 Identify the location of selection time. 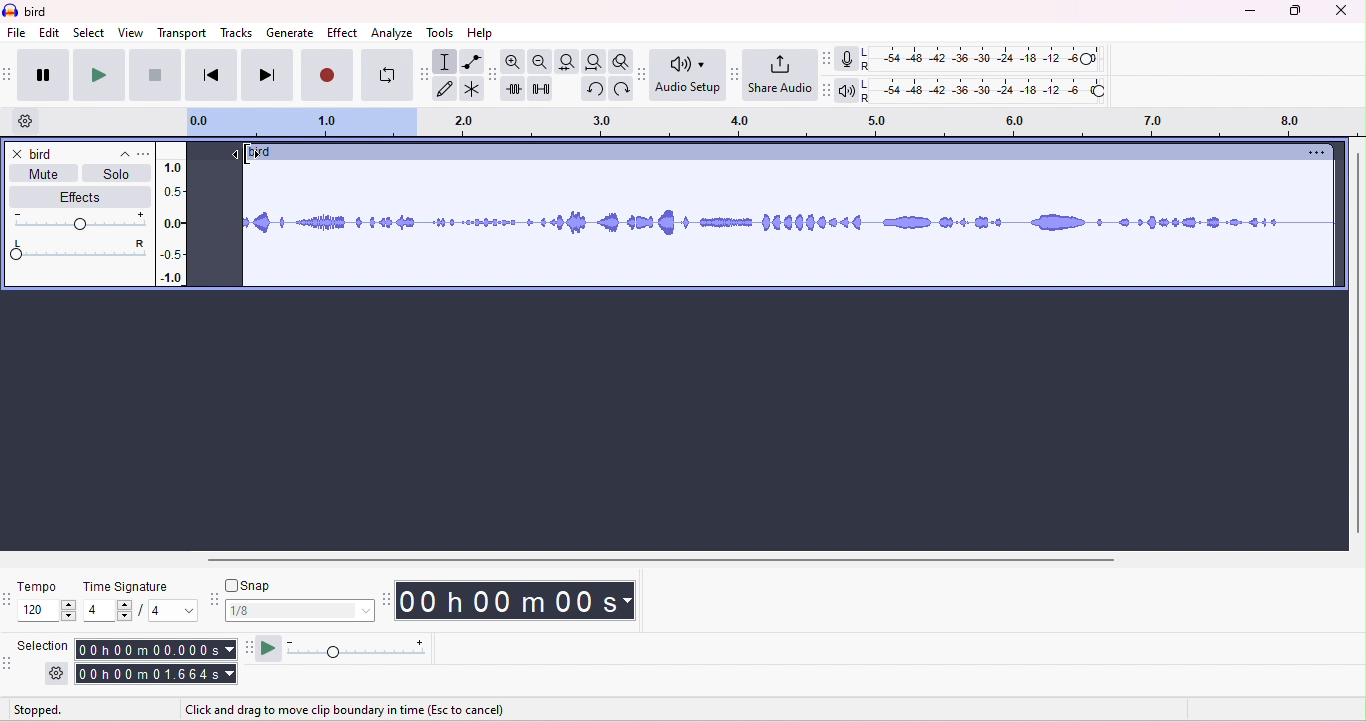
(154, 649).